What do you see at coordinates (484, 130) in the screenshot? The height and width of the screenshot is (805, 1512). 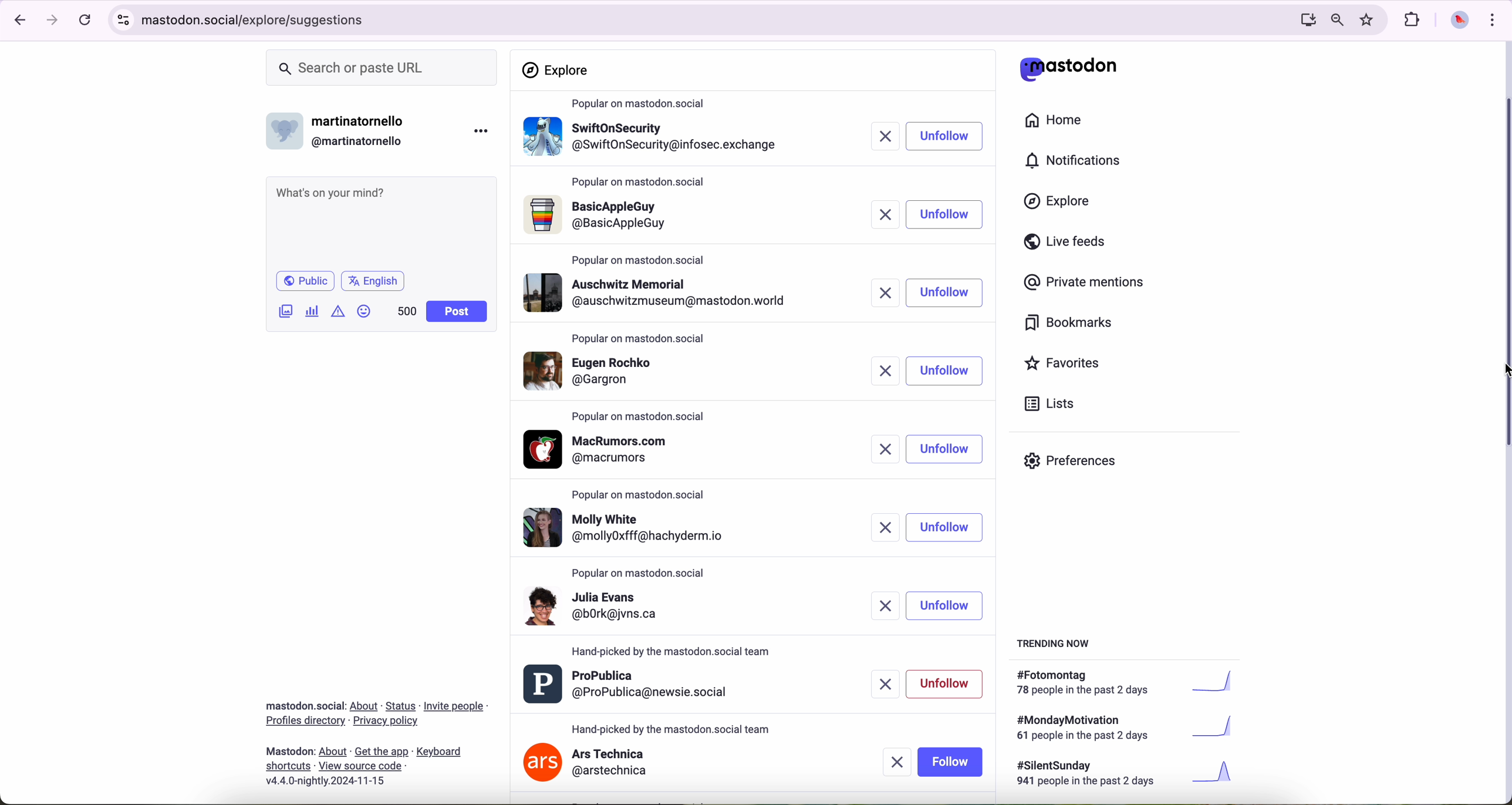 I see `more options` at bounding box center [484, 130].